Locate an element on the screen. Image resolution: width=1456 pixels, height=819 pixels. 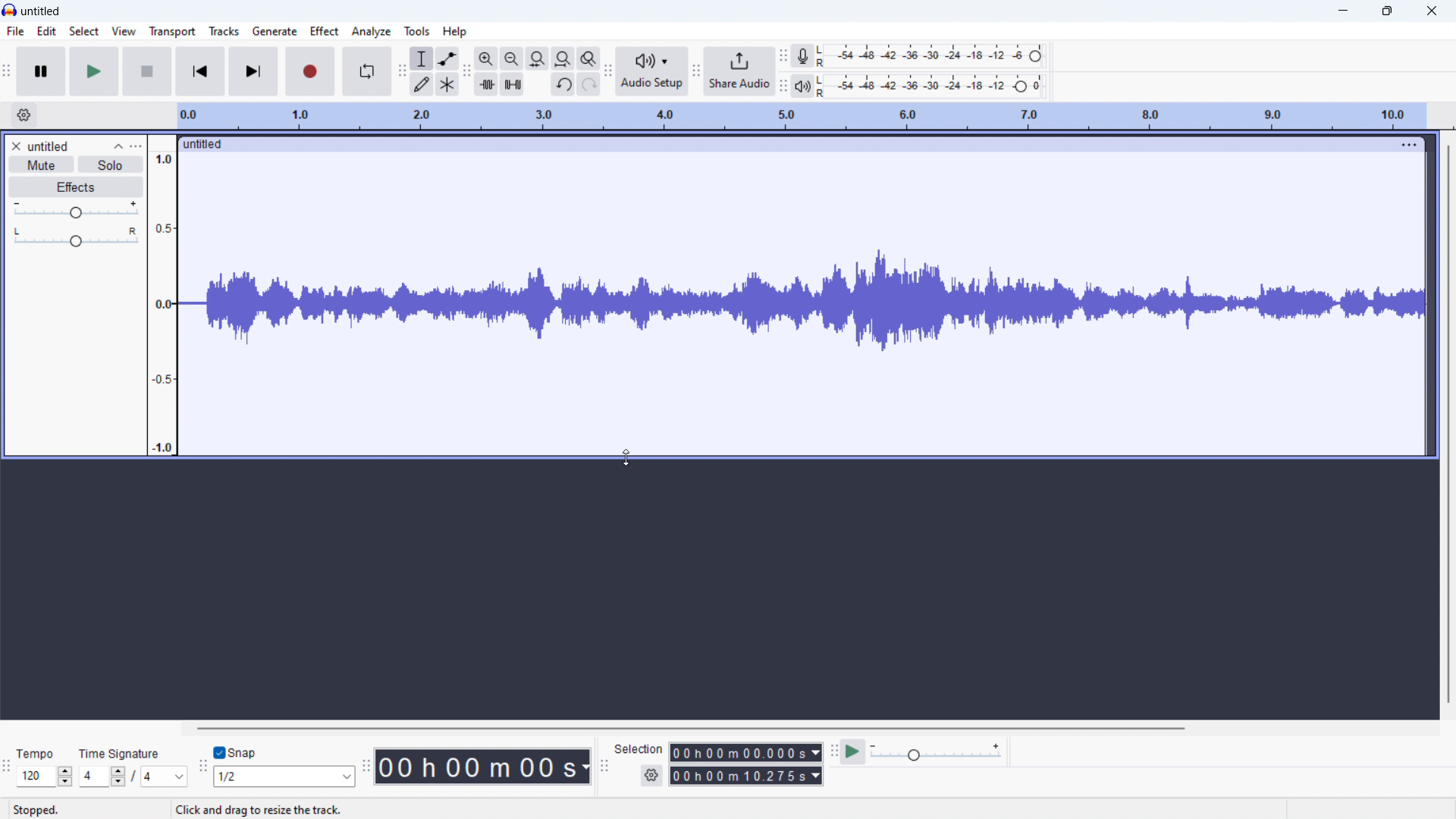
amplitude is located at coordinates (161, 294).